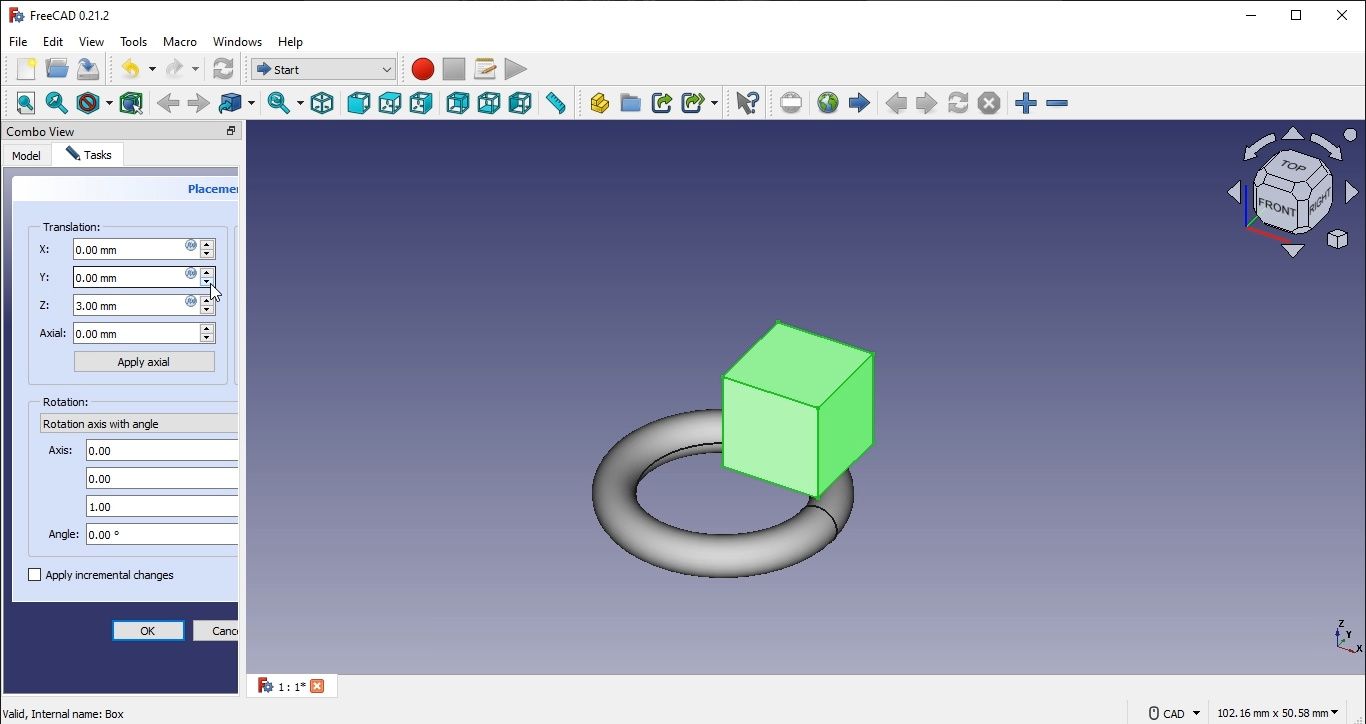 The width and height of the screenshot is (1366, 724). Describe the element at coordinates (133, 40) in the screenshot. I see `tools` at that location.